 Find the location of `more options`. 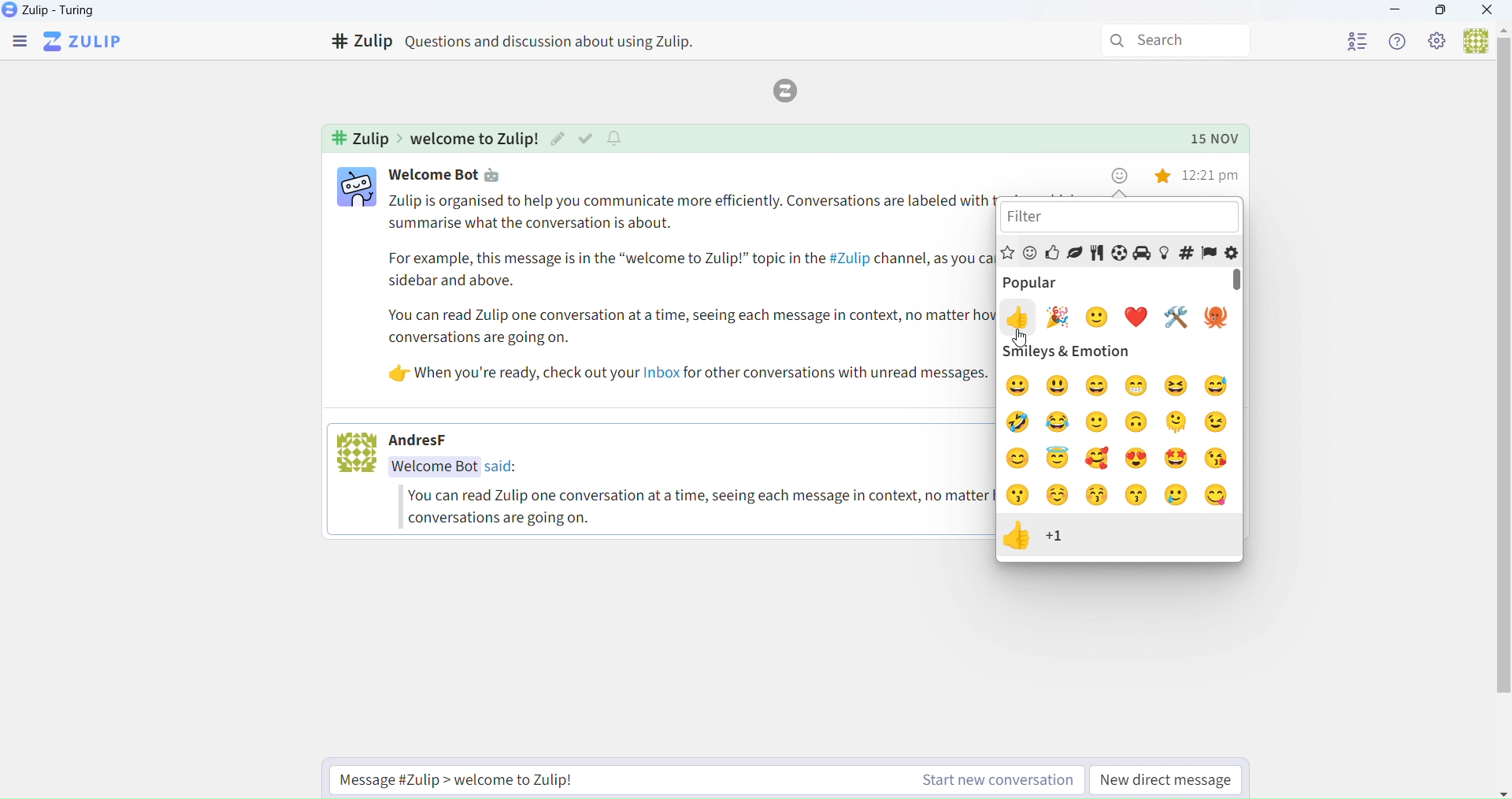

more options is located at coordinates (1140, 179).